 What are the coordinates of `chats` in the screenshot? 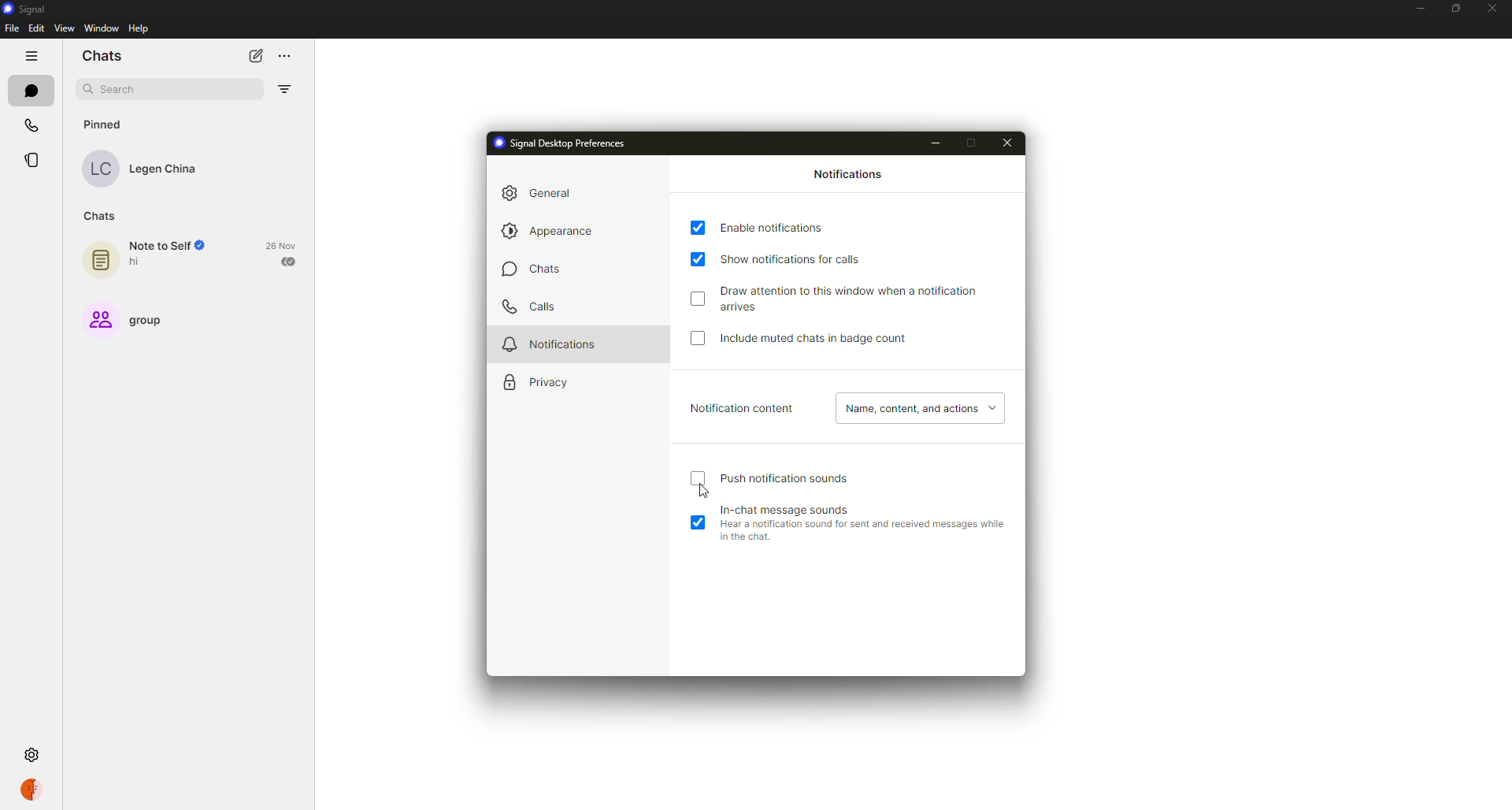 It's located at (102, 215).